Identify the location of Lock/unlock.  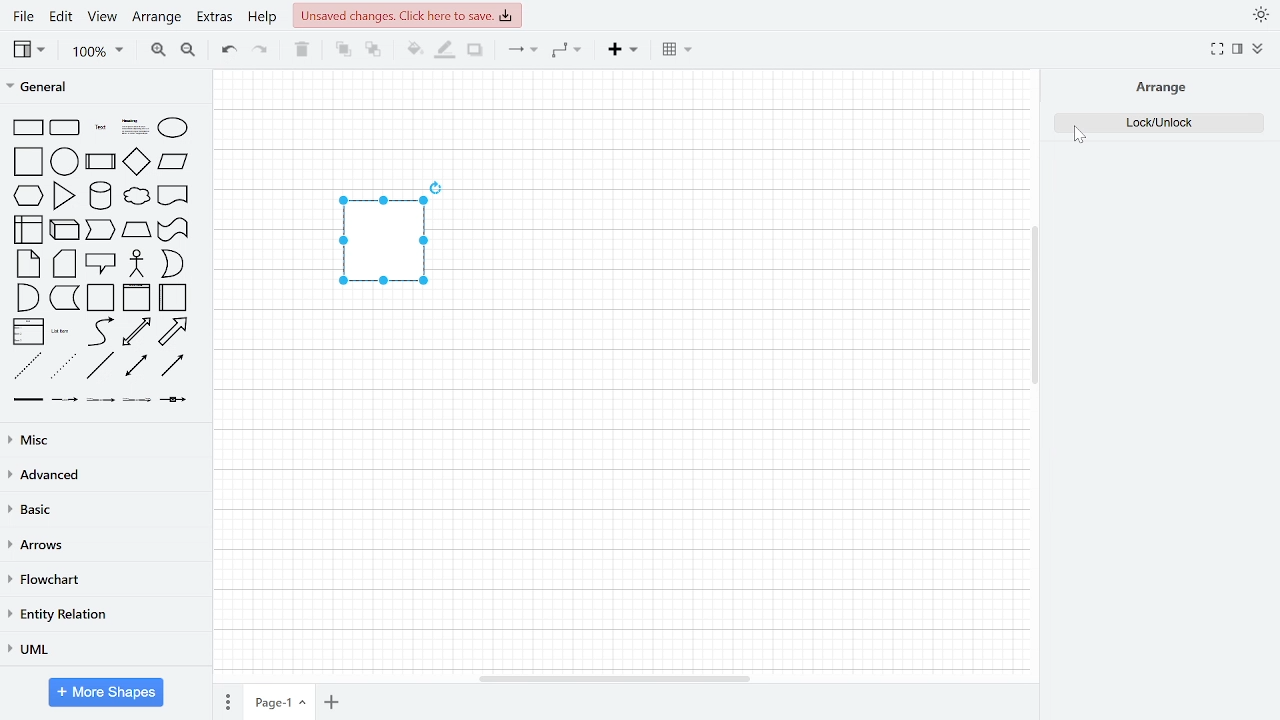
(1155, 122).